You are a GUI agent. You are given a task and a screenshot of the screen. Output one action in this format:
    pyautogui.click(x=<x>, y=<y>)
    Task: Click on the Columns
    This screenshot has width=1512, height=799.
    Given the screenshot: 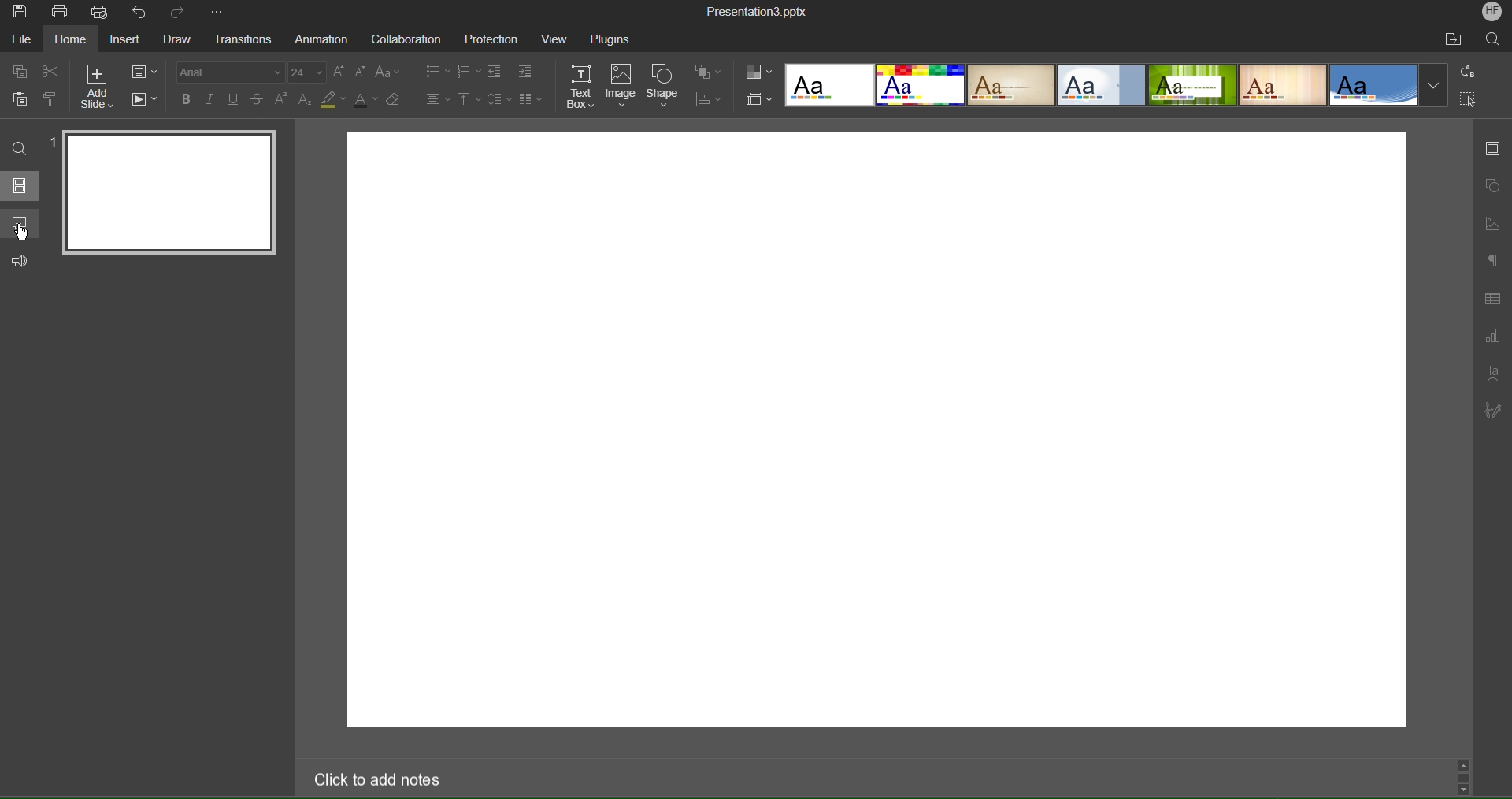 What is the action you would take?
    pyautogui.click(x=532, y=101)
    